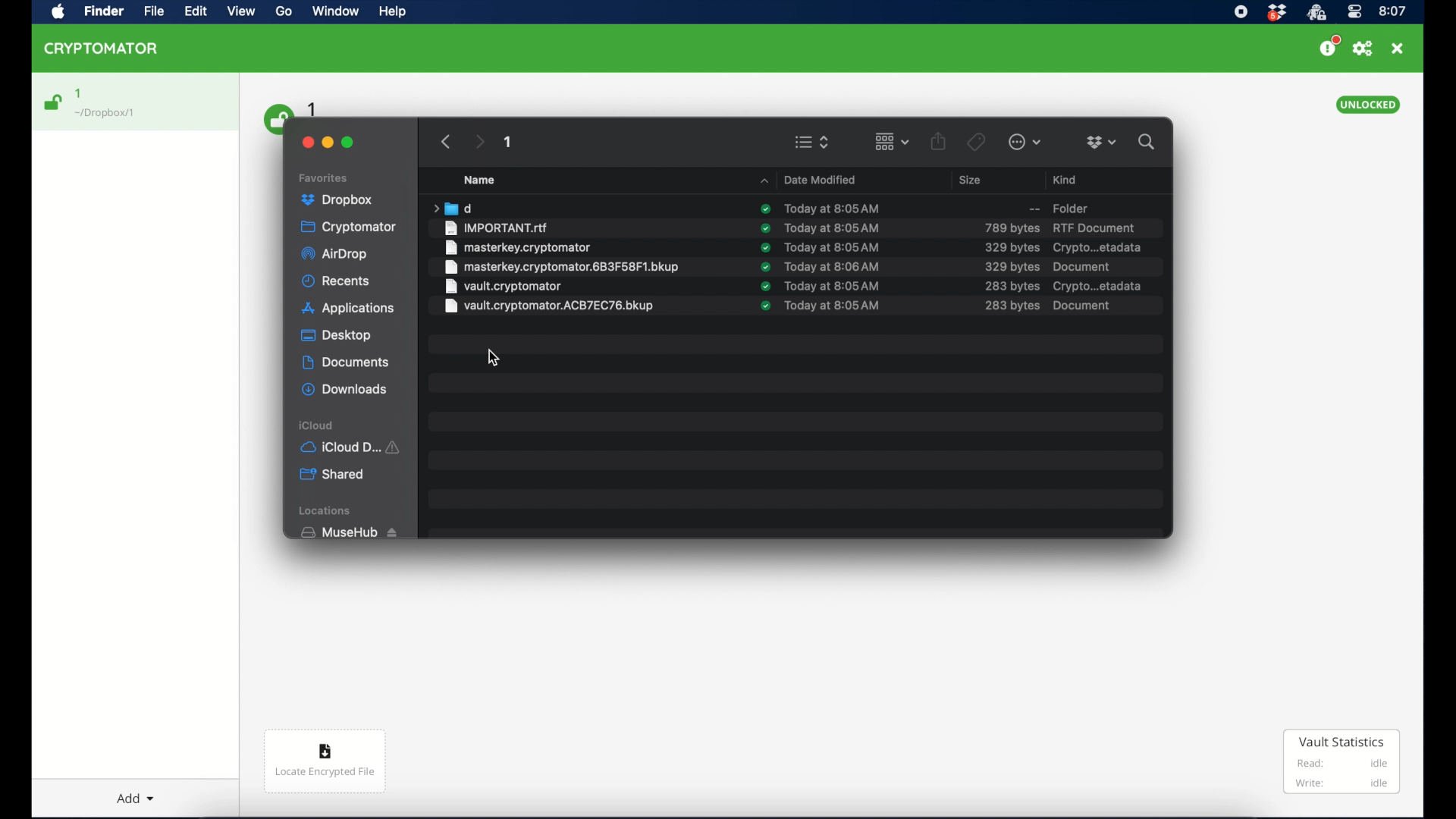 This screenshot has width=1456, height=819. What do you see at coordinates (289, 15) in the screenshot?
I see `Go` at bounding box center [289, 15].